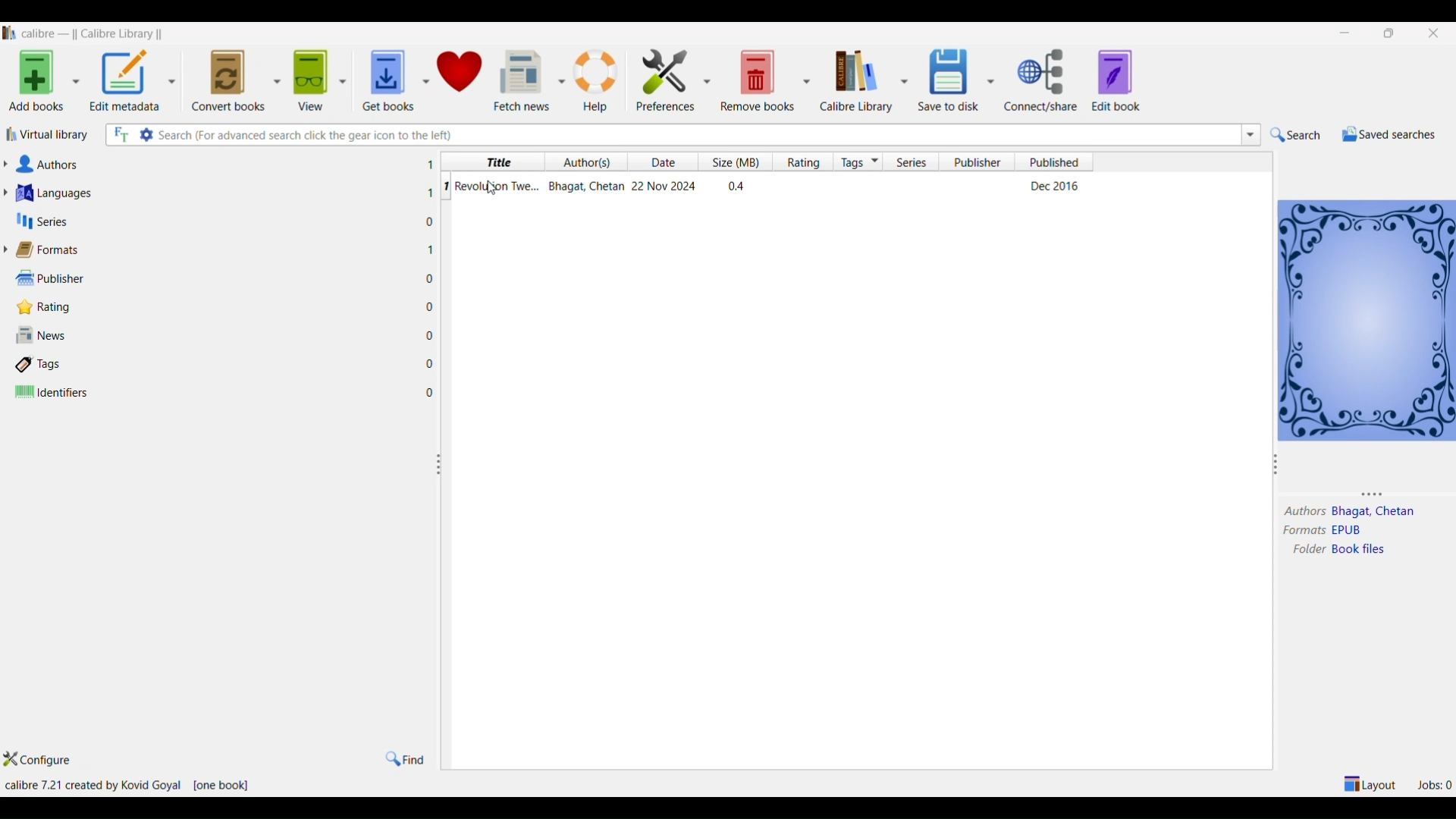 The height and width of the screenshot is (819, 1456). Describe the element at coordinates (52, 165) in the screenshot. I see `authors and number of authors` at that location.